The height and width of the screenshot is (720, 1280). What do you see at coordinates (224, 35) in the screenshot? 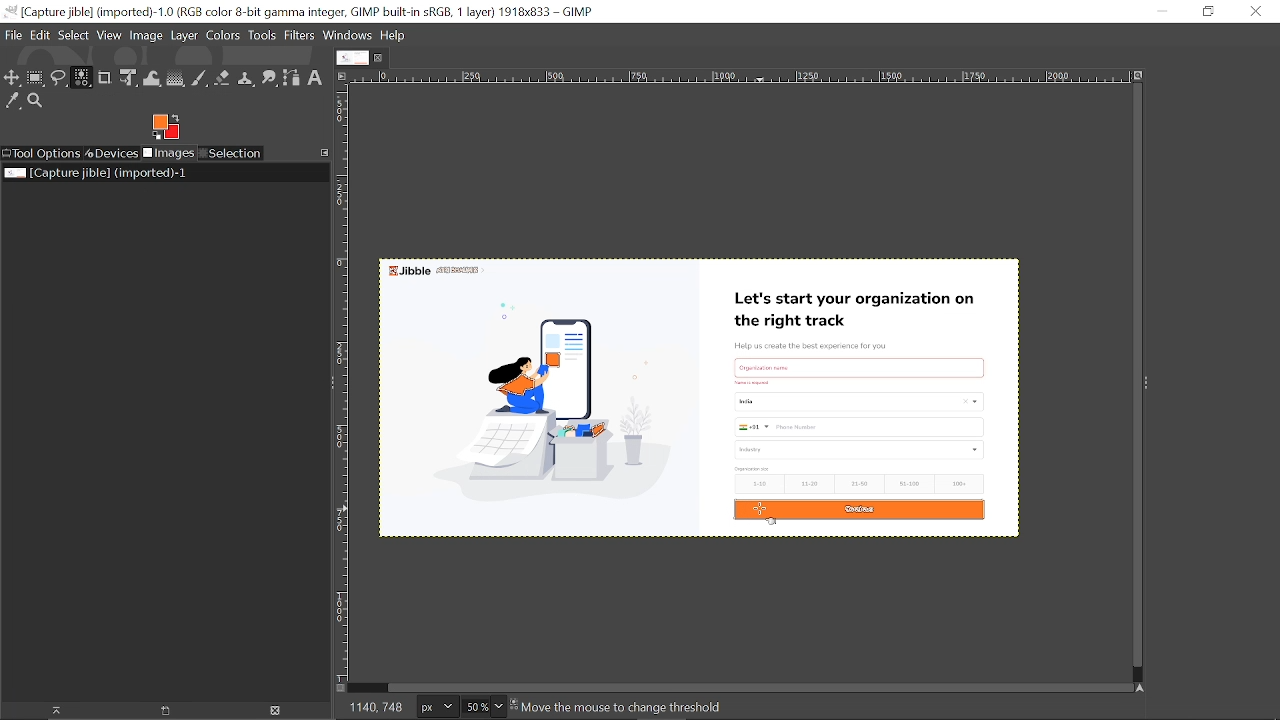
I see `Colors` at bounding box center [224, 35].